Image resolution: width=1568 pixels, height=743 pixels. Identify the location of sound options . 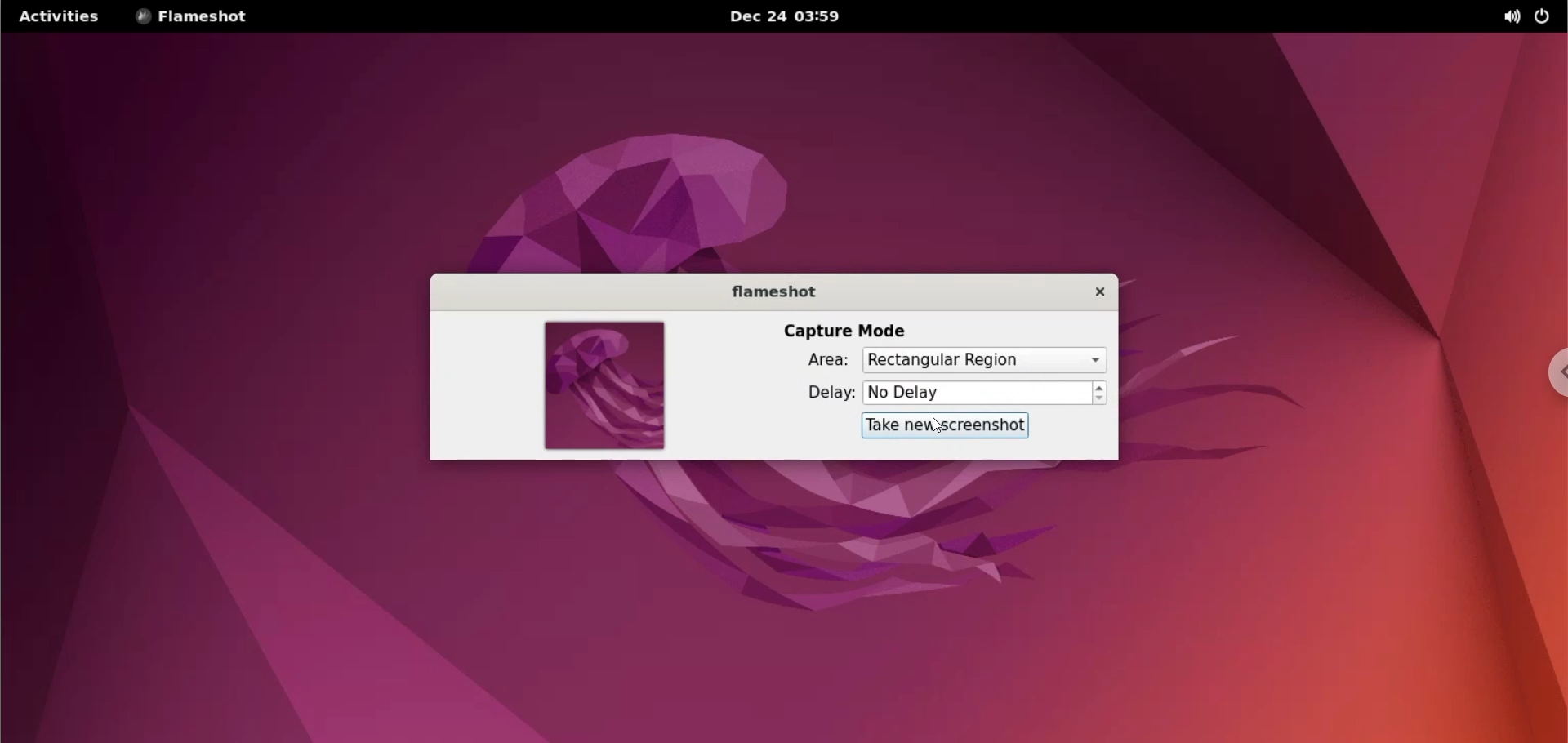
(1508, 17).